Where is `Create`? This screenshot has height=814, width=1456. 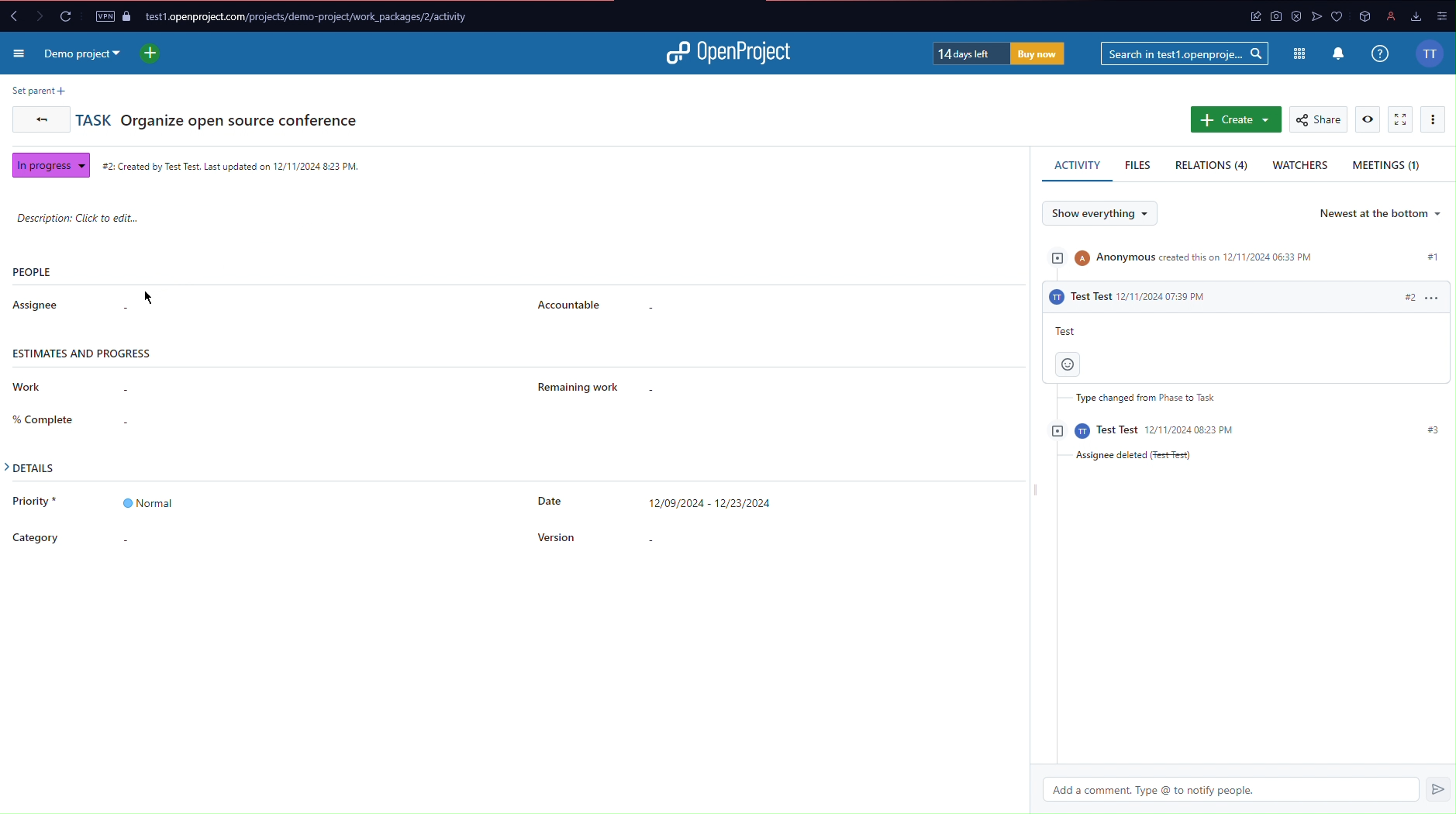
Create is located at coordinates (1233, 120).